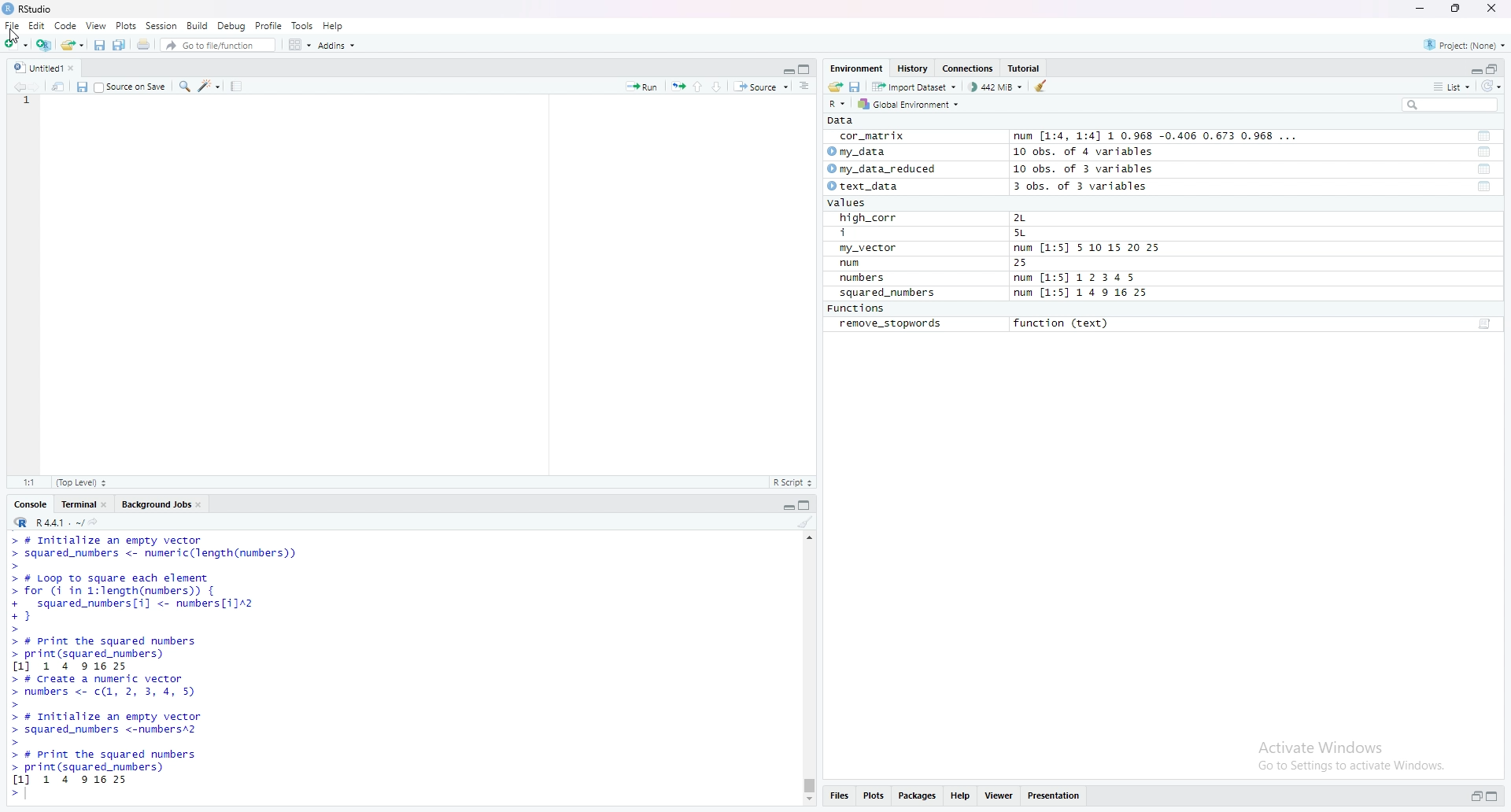  I want to click on RStudio, so click(29, 9).